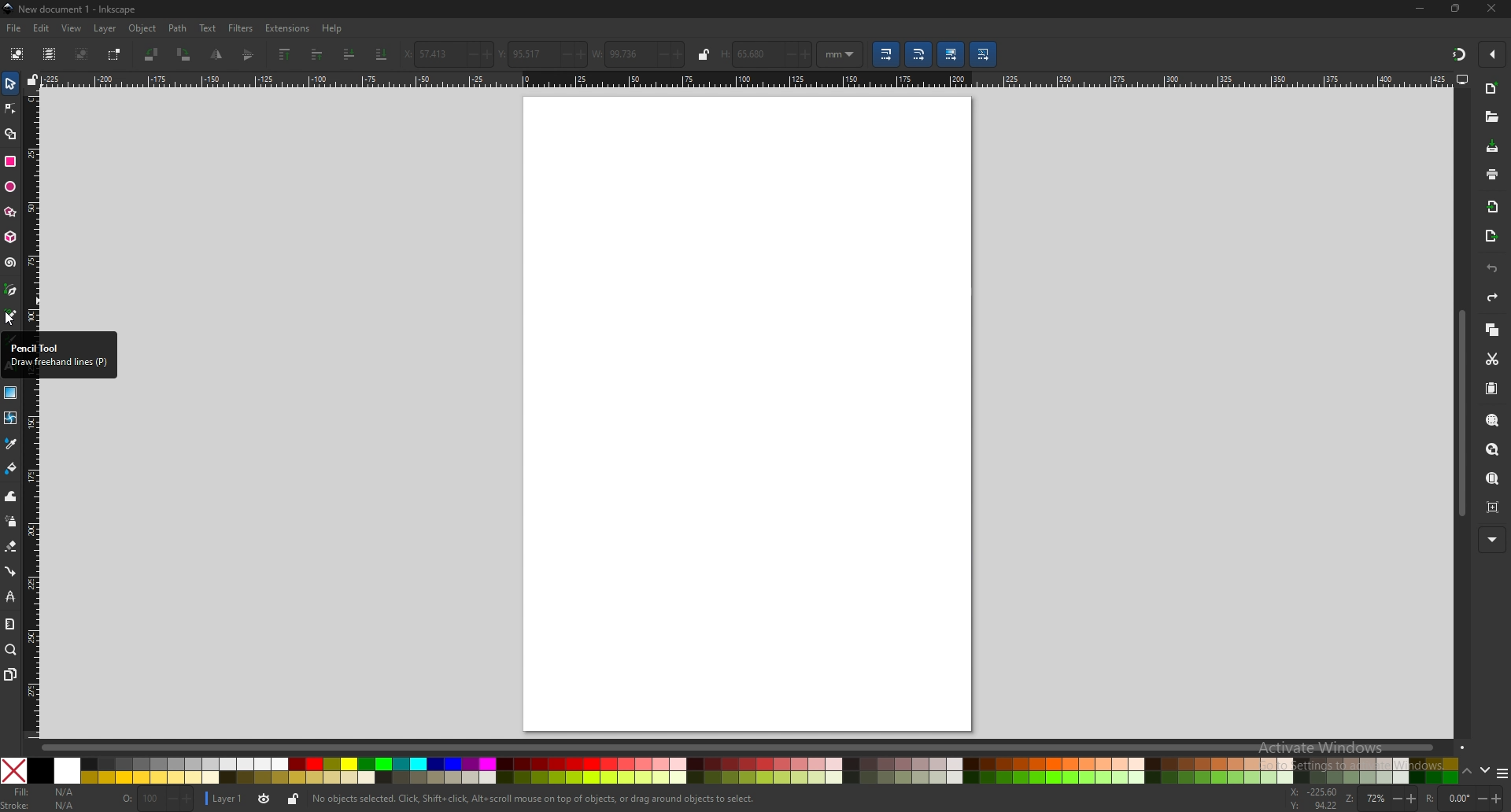 The height and width of the screenshot is (812, 1511). What do you see at coordinates (288, 28) in the screenshot?
I see `extensions` at bounding box center [288, 28].